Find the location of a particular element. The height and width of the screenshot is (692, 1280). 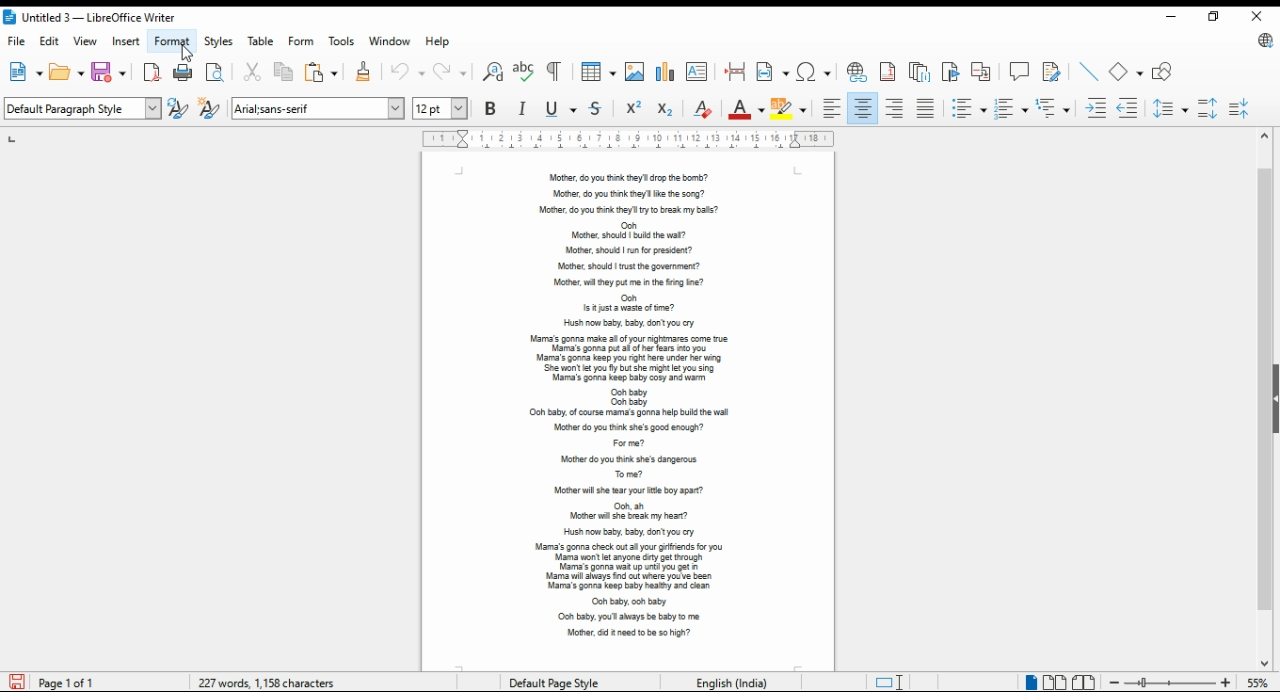

styles is located at coordinates (221, 41).